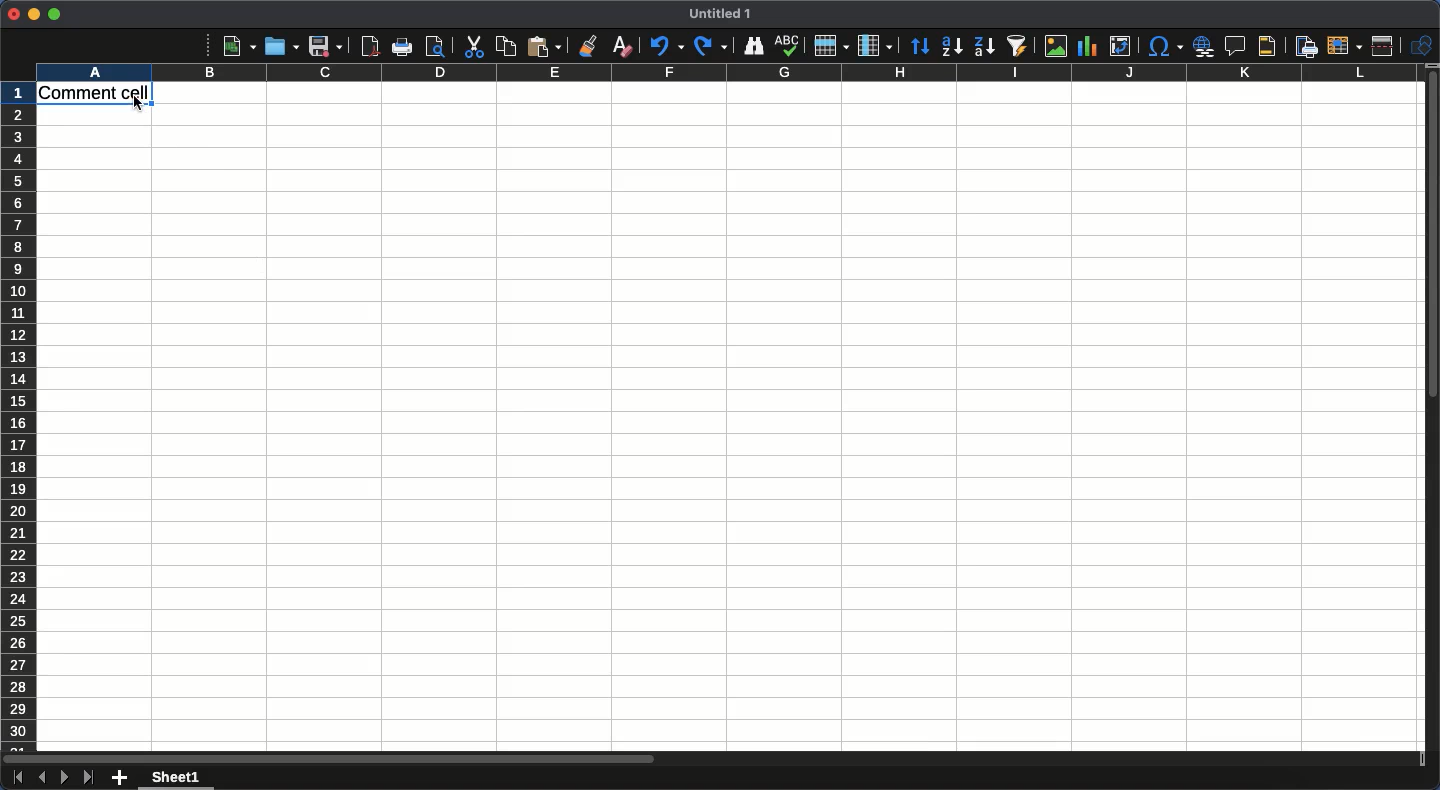 Image resolution: width=1440 pixels, height=790 pixels. What do you see at coordinates (58, 14) in the screenshot?
I see `Maximize` at bounding box center [58, 14].